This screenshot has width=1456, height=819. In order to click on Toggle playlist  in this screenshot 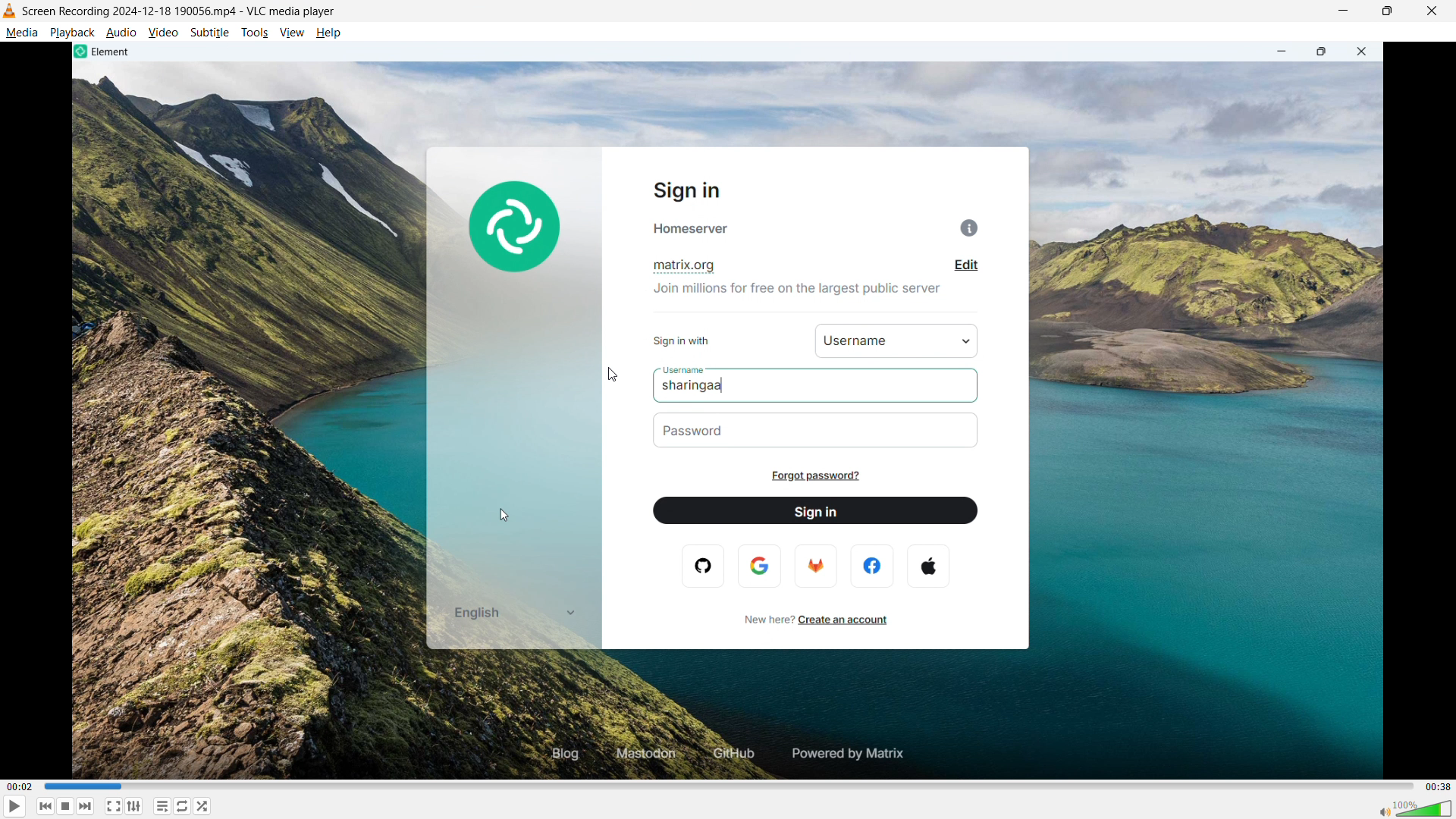, I will do `click(162, 806)`.